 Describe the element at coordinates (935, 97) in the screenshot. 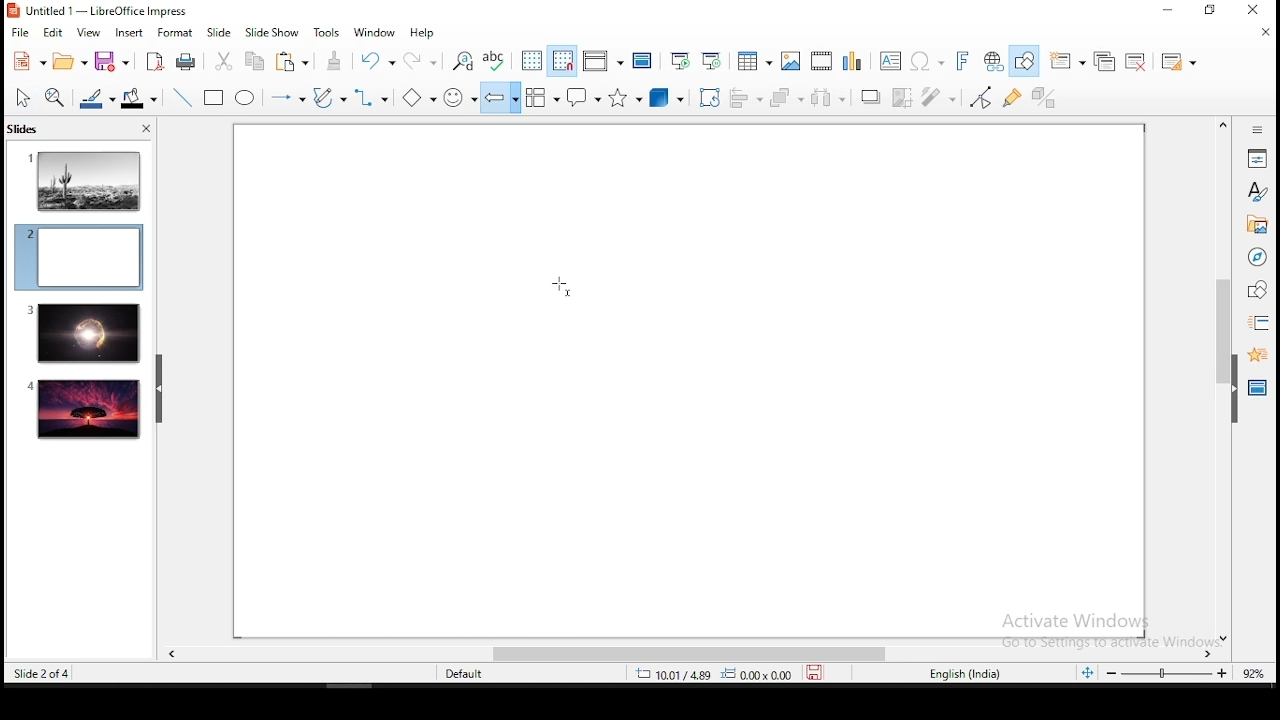

I see `filter` at that location.